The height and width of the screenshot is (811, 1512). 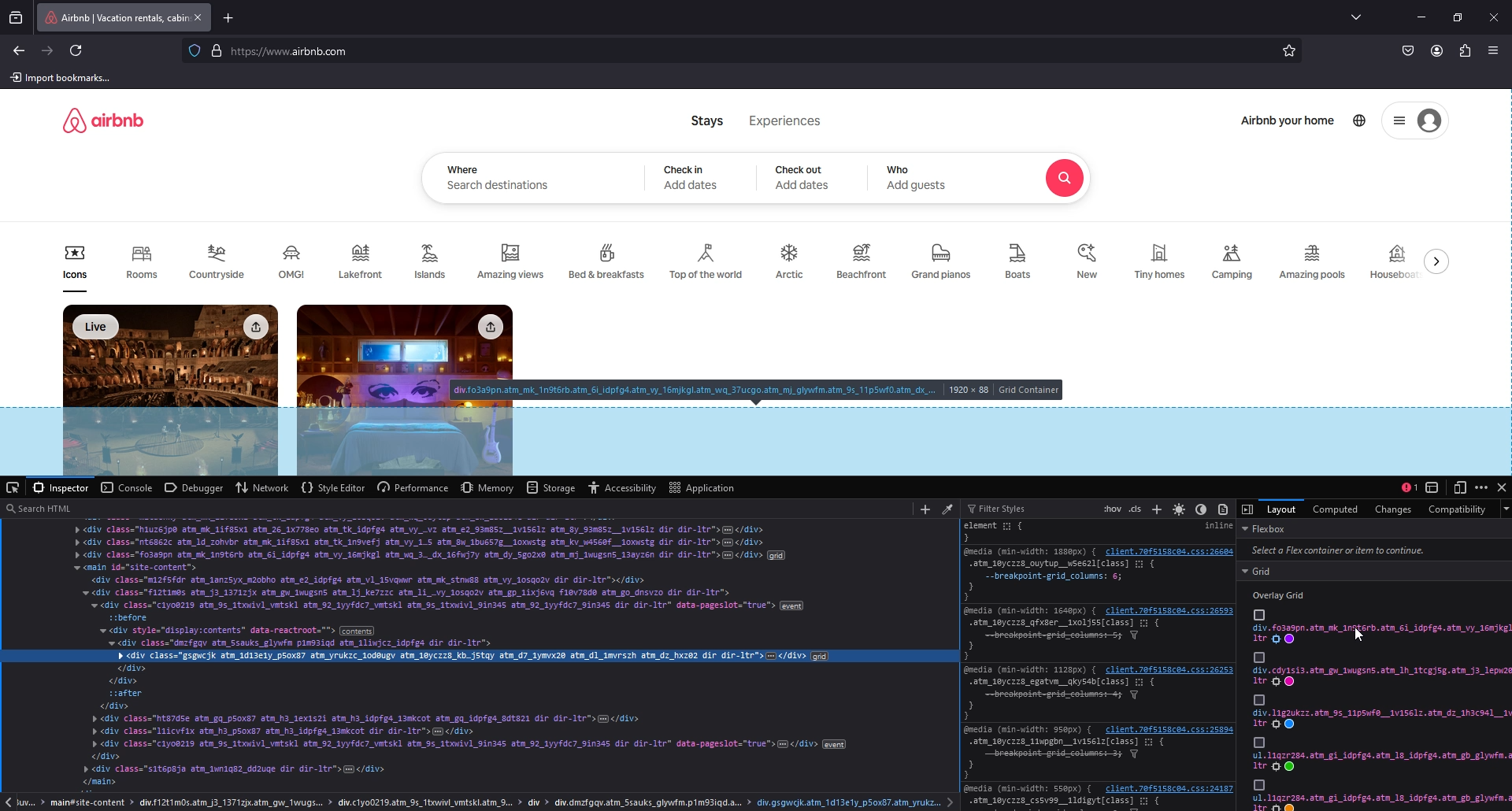 What do you see at coordinates (489, 328) in the screenshot?
I see `Download ` at bounding box center [489, 328].